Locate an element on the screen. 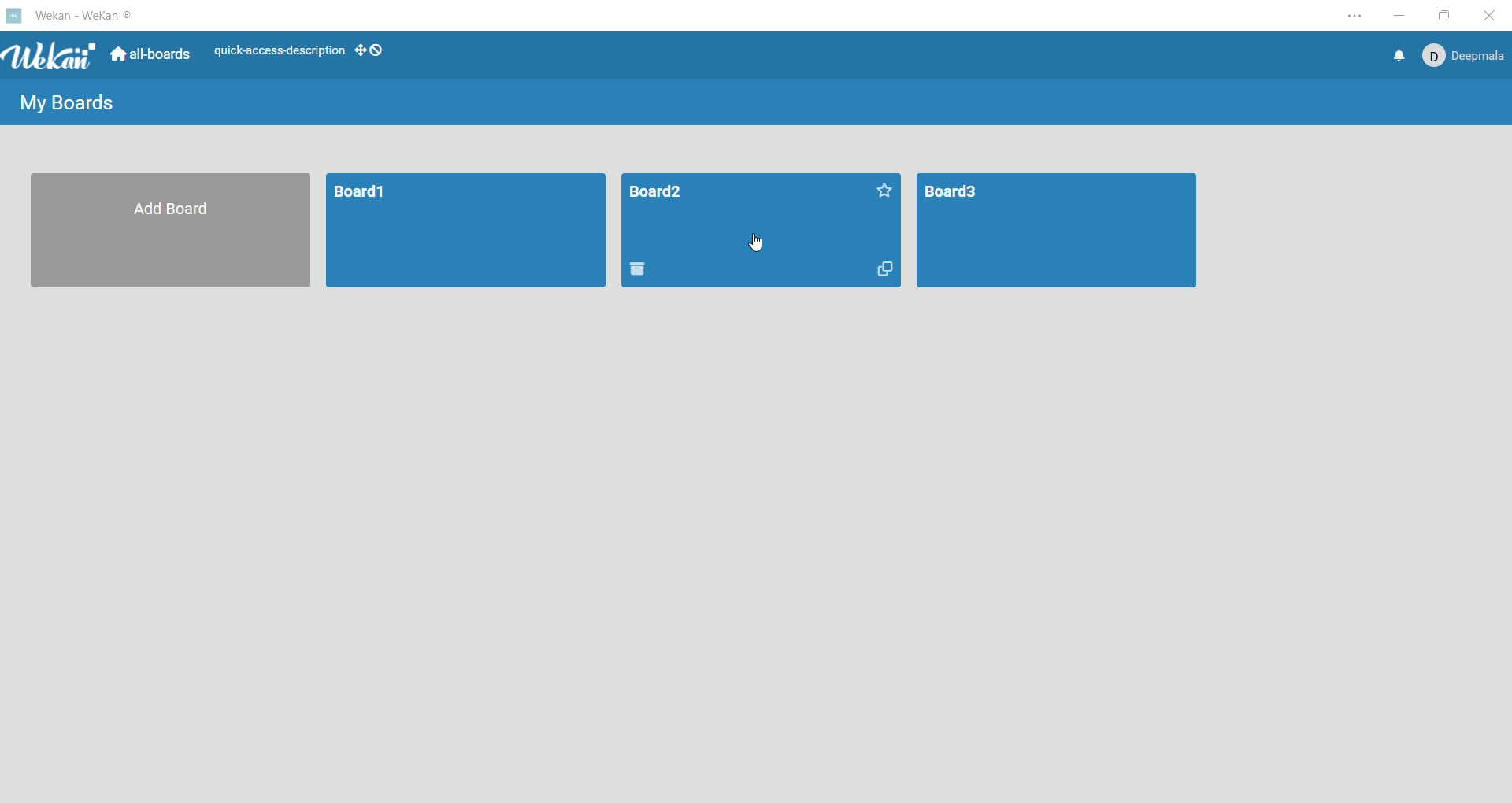 Image resolution: width=1512 pixels, height=803 pixels. minimize is located at coordinates (1400, 17).